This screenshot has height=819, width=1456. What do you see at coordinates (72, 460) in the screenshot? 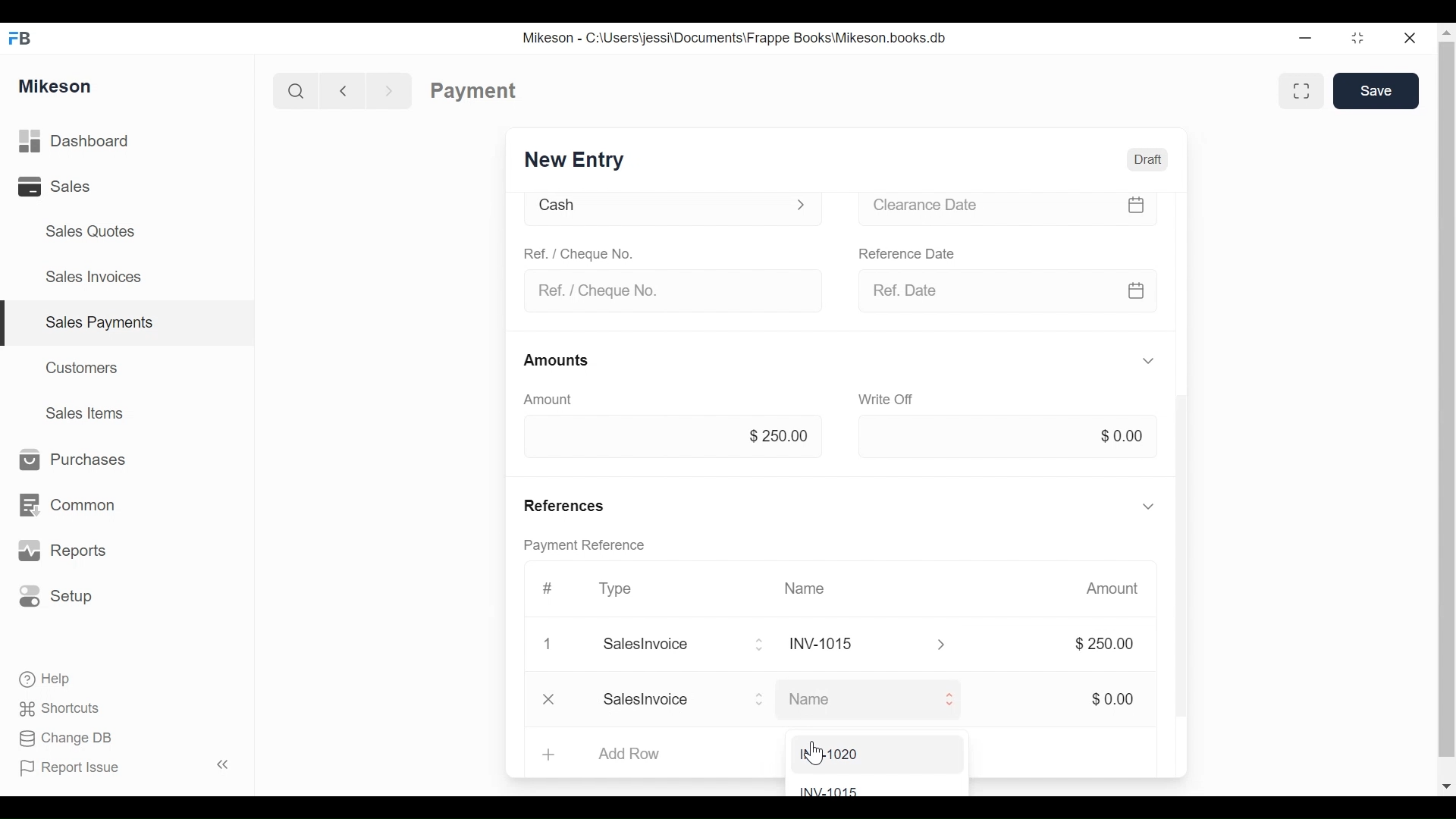
I see `Purchases` at bounding box center [72, 460].